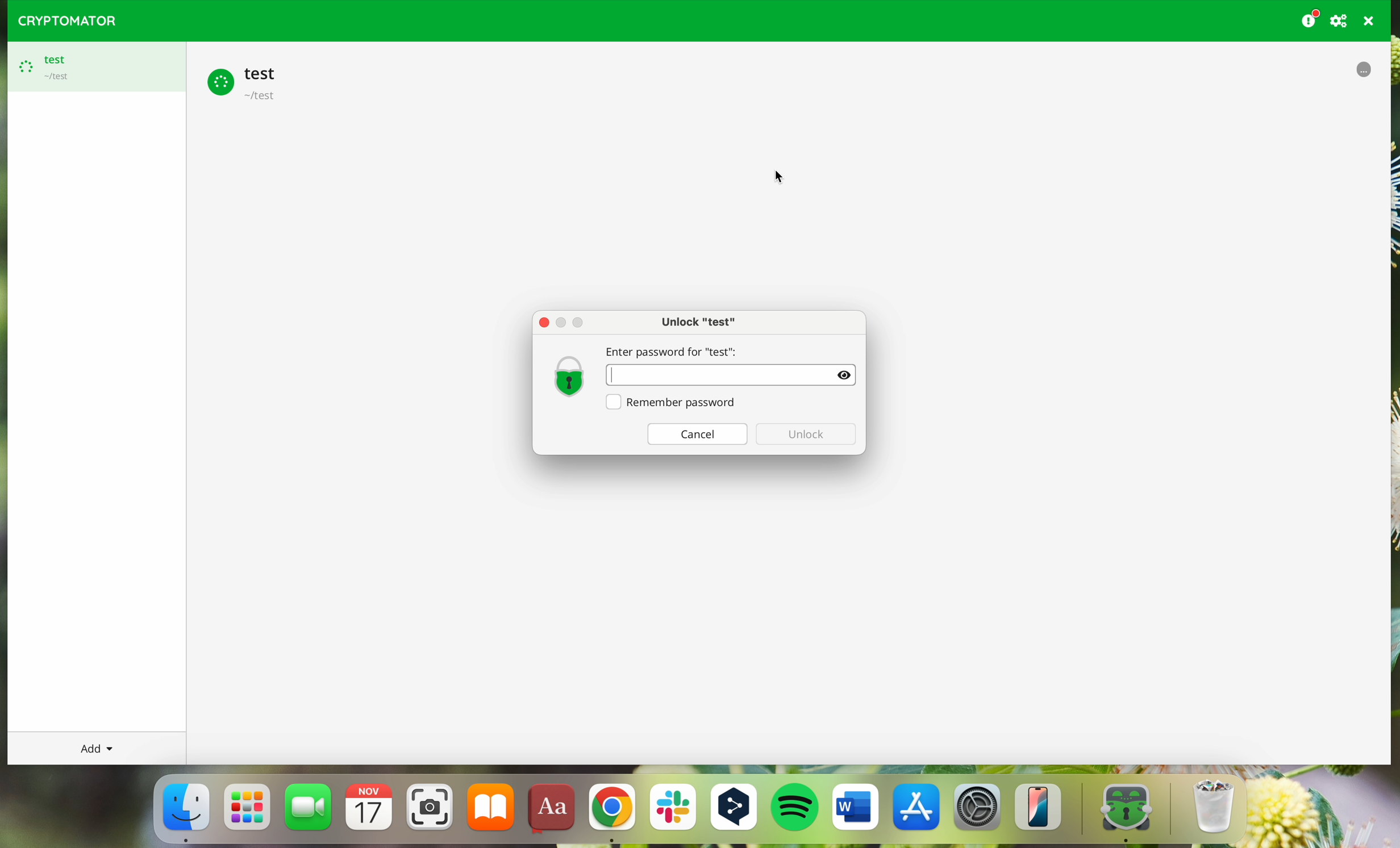 Image resolution: width=1400 pixels, height=848 pixels. What do you see at coordinates (807, 435) in the screenshot?
I see `Unlock` at bounding box center [807, 435].